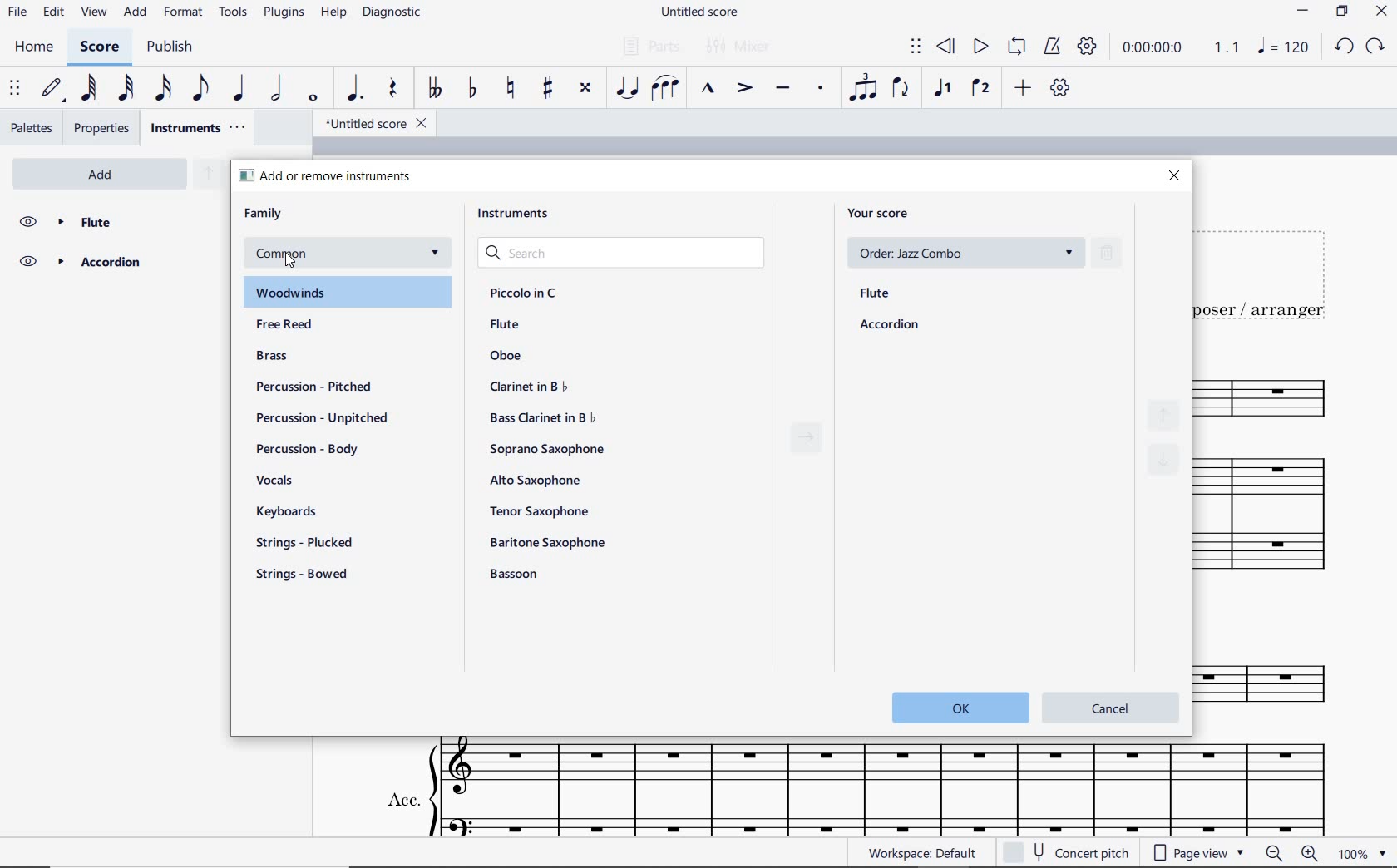 The image size is (1397, 868). I want to click on add, so click(105, 174).